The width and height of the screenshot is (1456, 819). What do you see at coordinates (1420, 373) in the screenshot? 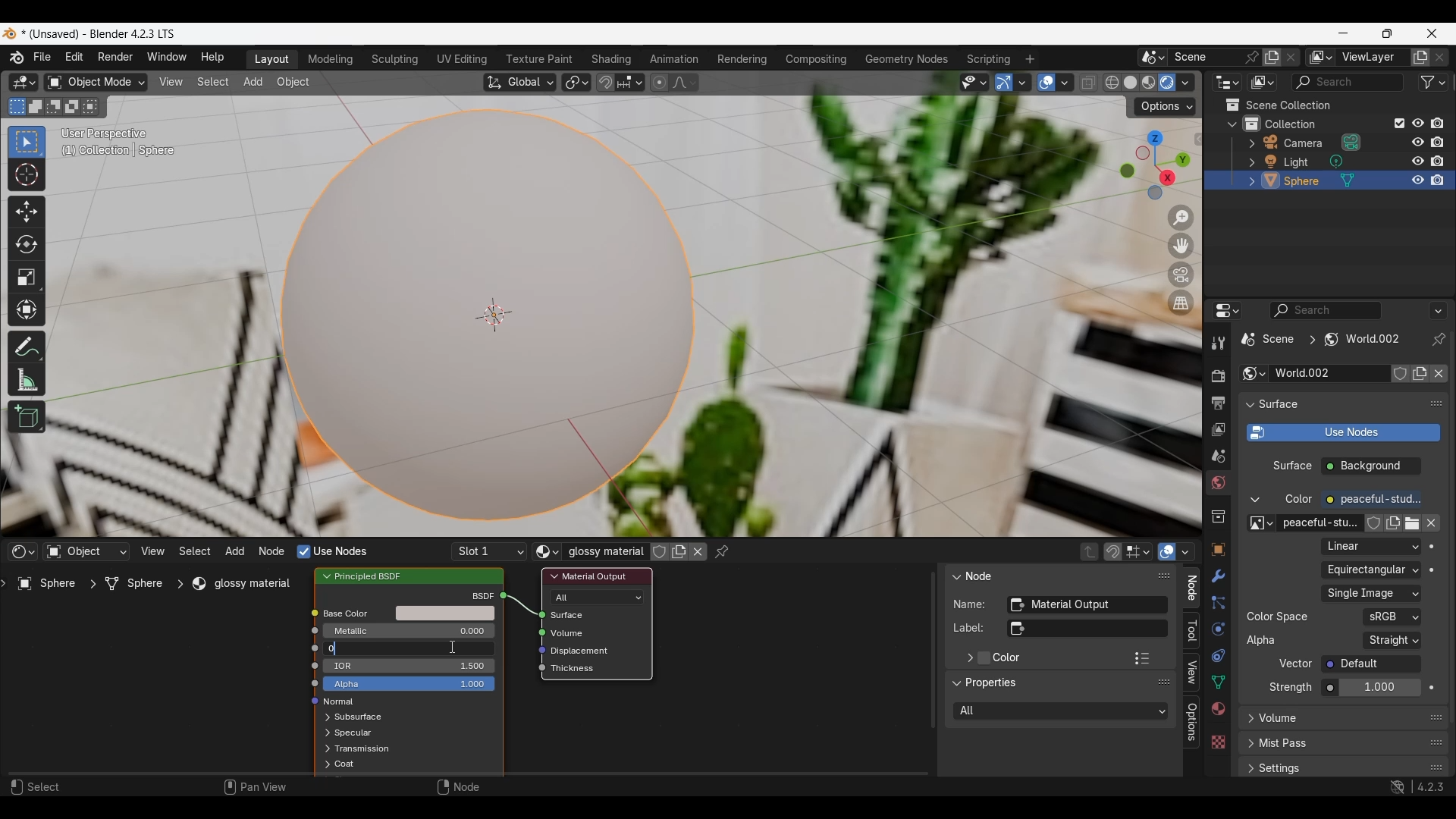
I see `Add new world` at bounding box center [1420, 373].